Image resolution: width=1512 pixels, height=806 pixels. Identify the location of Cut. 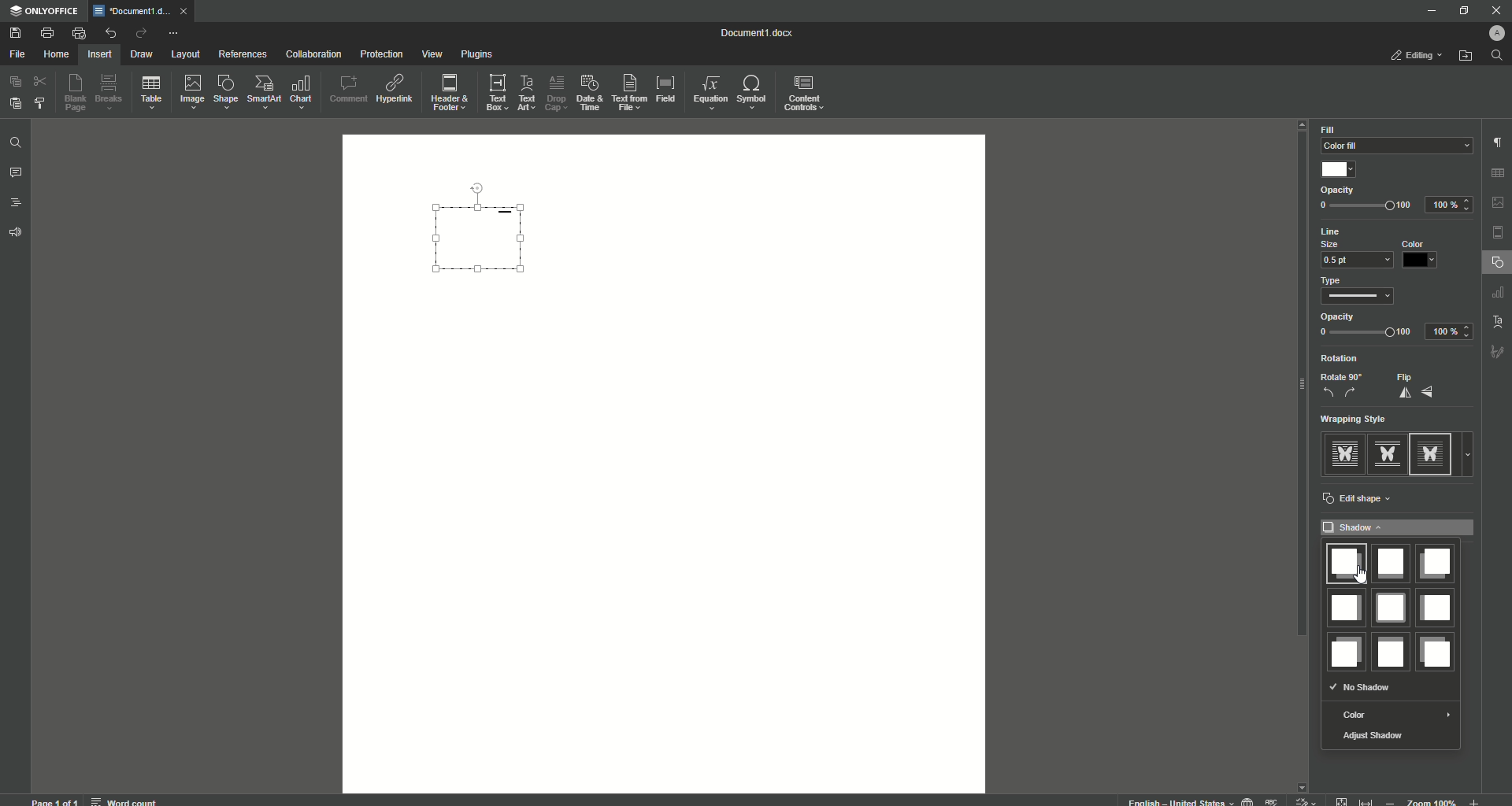
(42, 80).